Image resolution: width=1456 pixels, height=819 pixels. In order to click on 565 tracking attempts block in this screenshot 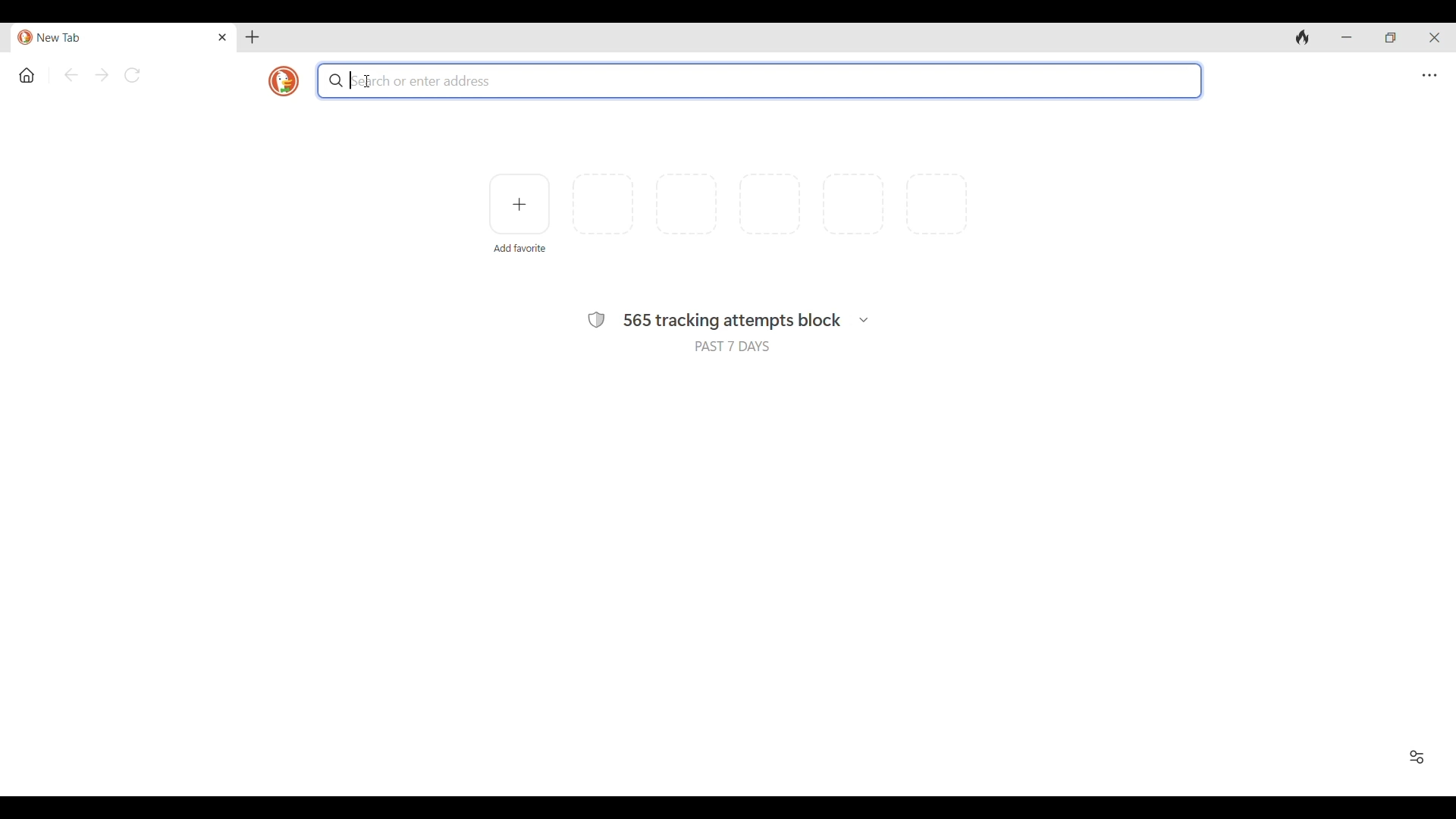, I will do `click(732, 322)`.